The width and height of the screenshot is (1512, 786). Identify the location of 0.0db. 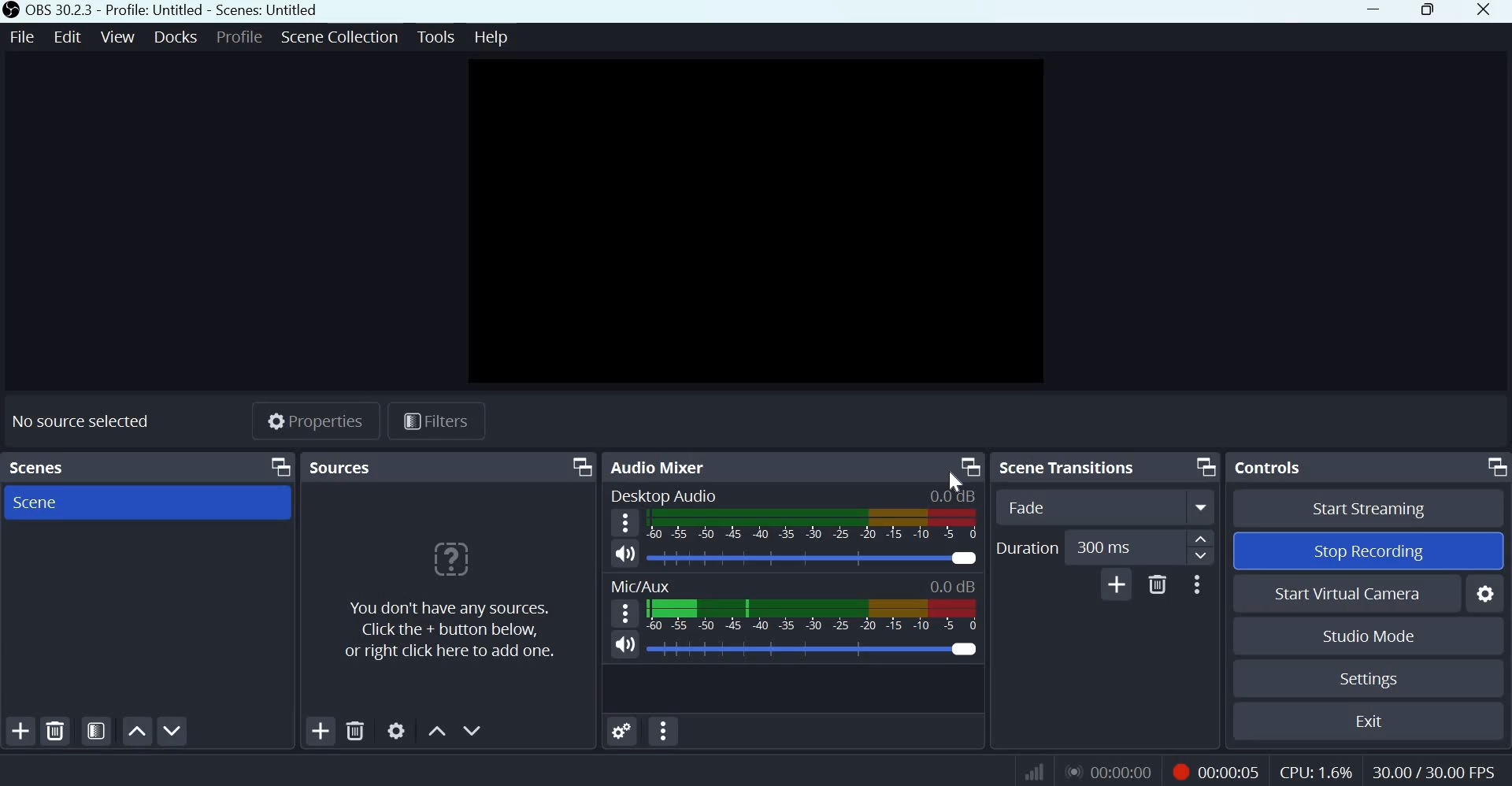
(953, 495).